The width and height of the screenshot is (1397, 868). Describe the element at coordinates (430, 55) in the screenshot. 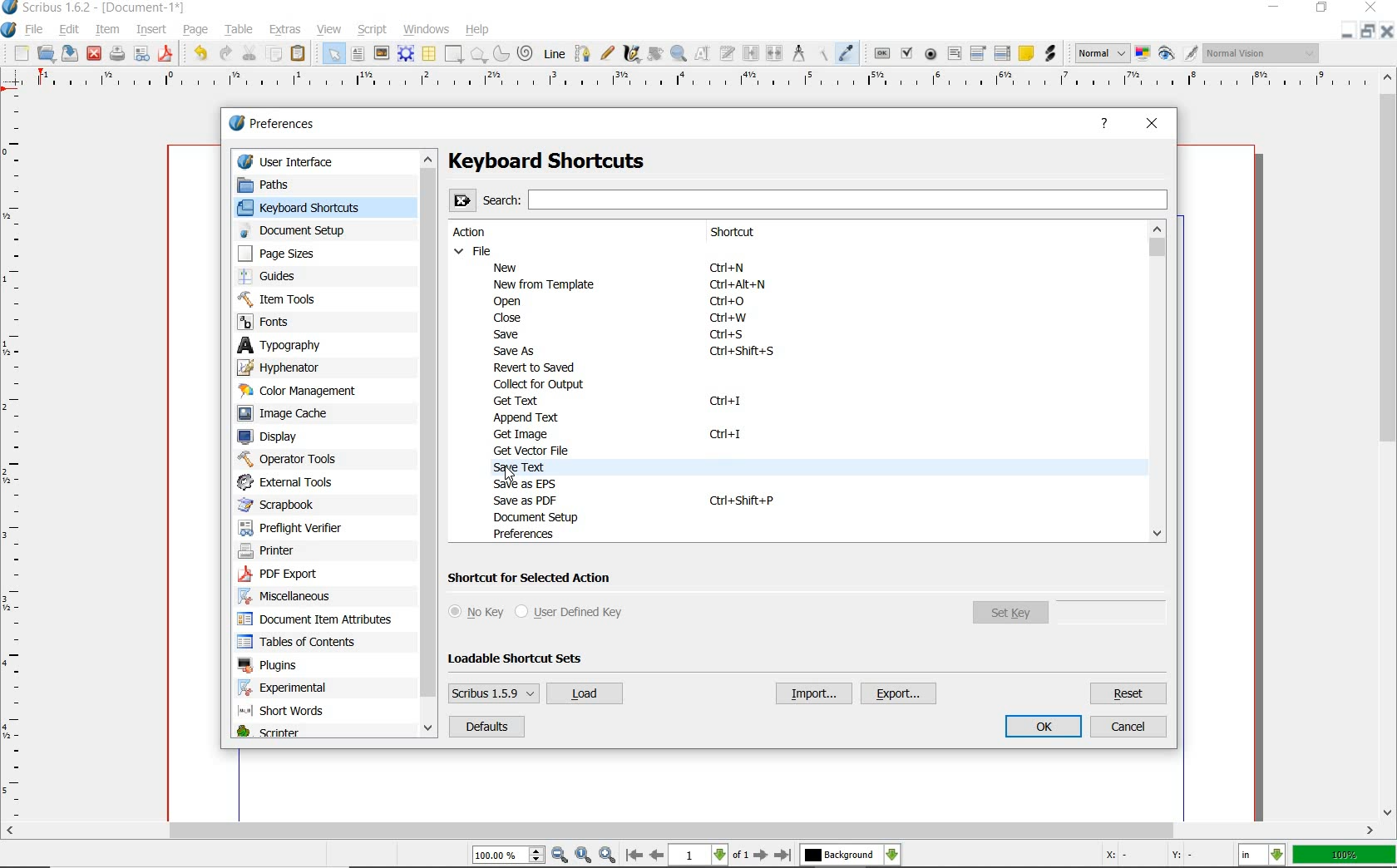

I see `table` at that location.